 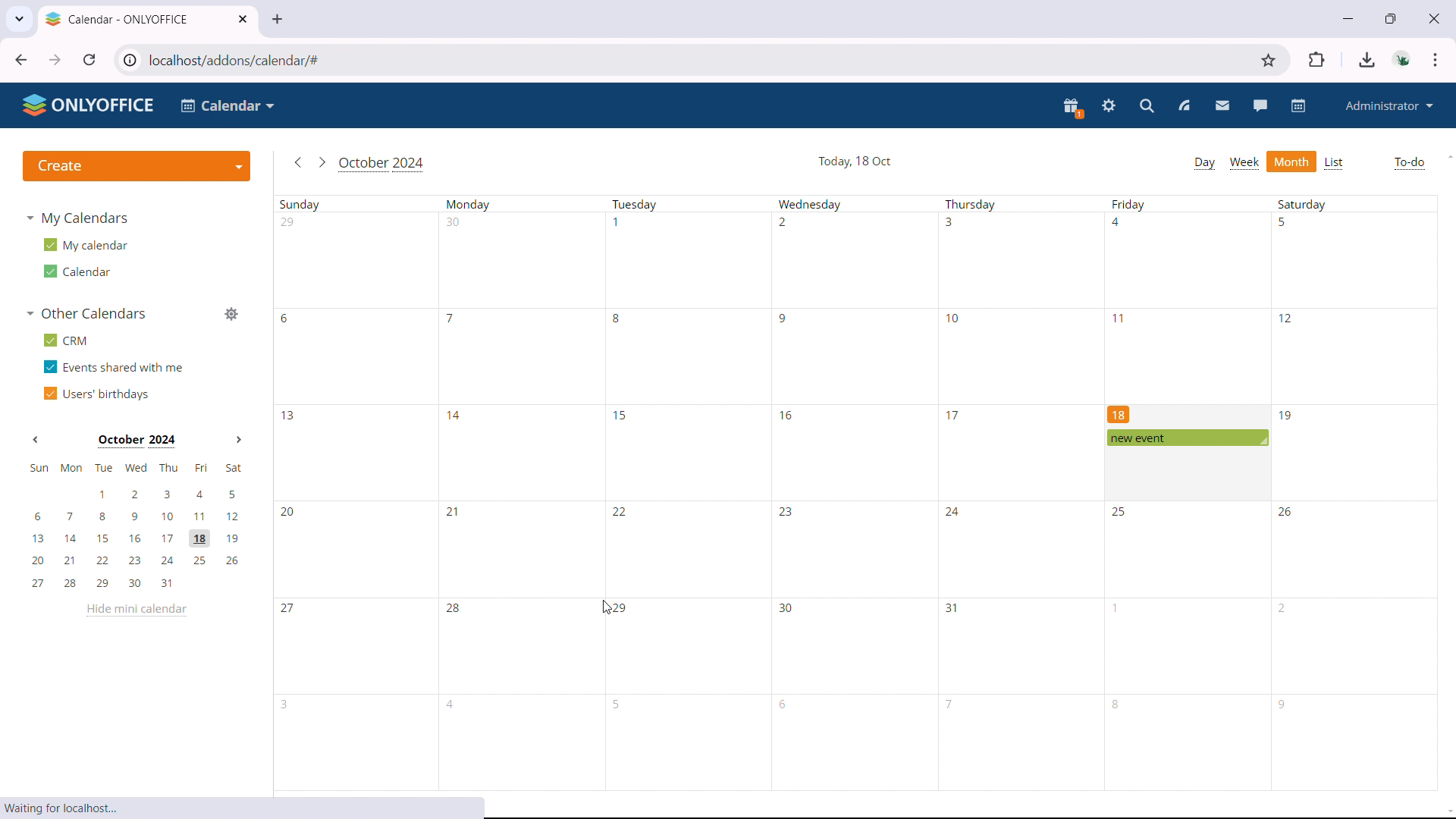 I want to click on new tab, so click(x=277, y=20).